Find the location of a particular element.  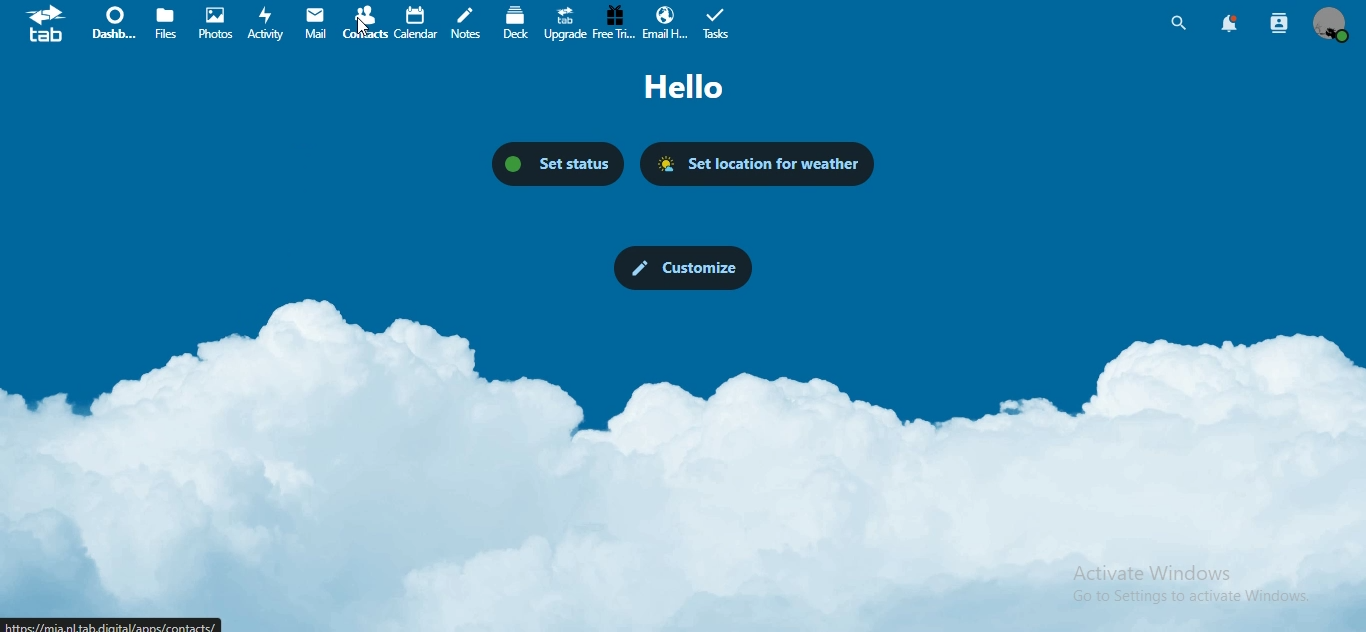

email hosting is located at coordinates (666, 23).